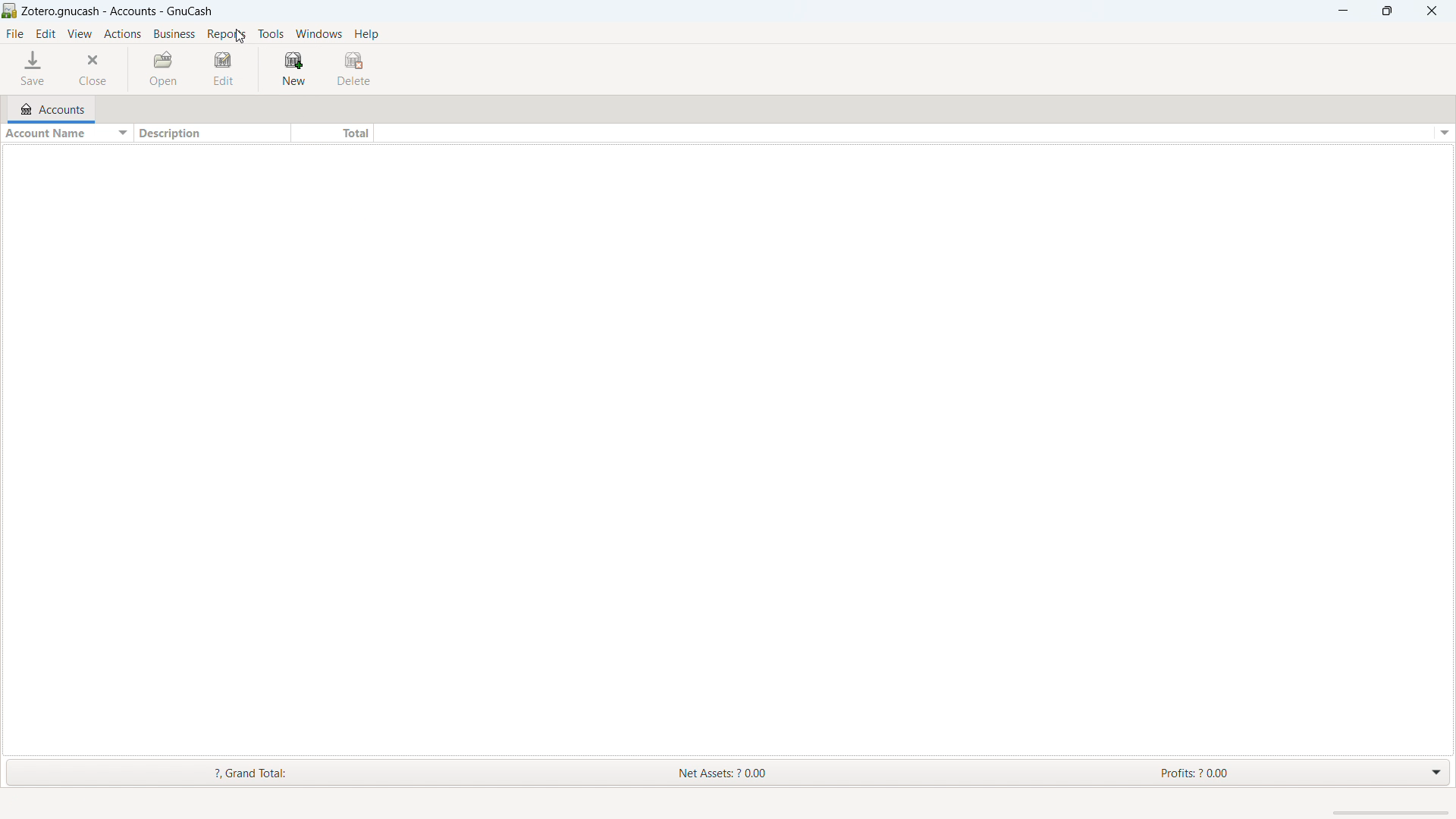 The height and width of the screenshot is (819, 1456). What do you see at coordinates (319, 33) in the screenshot?
I see `windows` at bounding box center [319, 33].